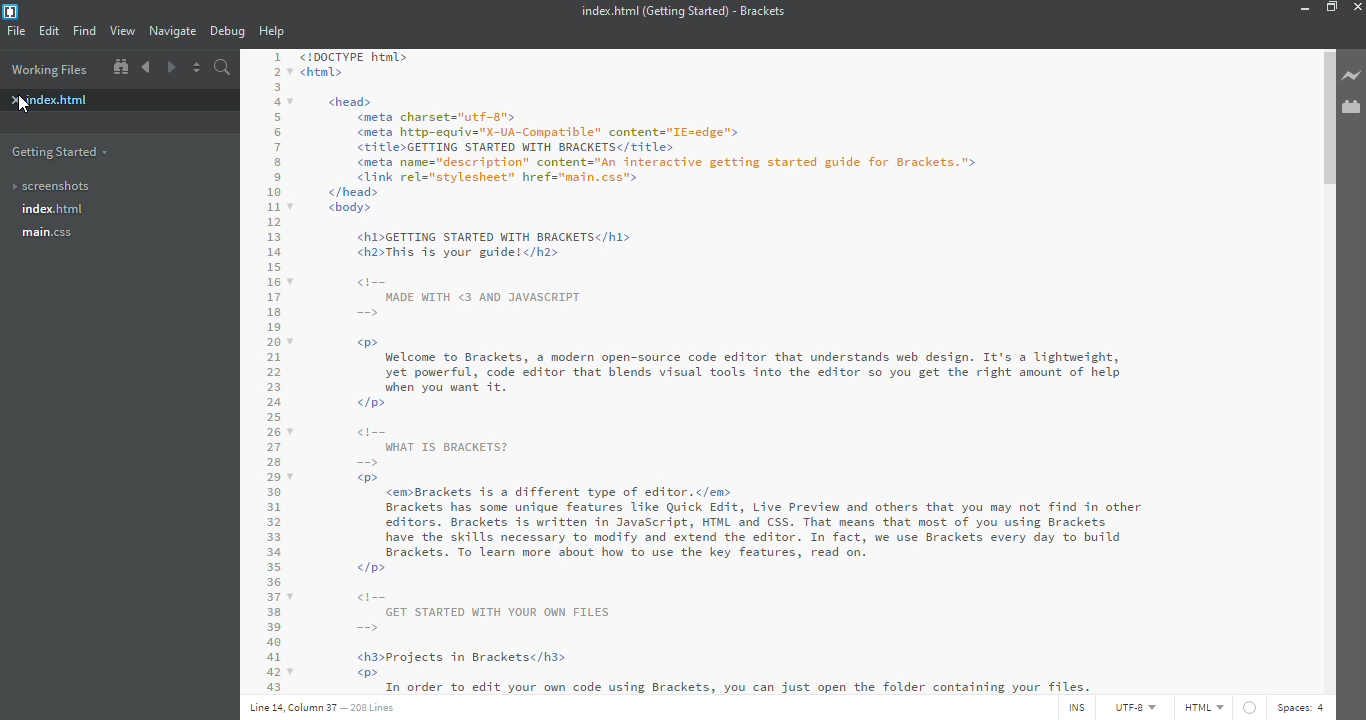  What do you see at coordinates (1135, 707) in the screenshot?
I see `utf` at bounding box center [1135, 707].